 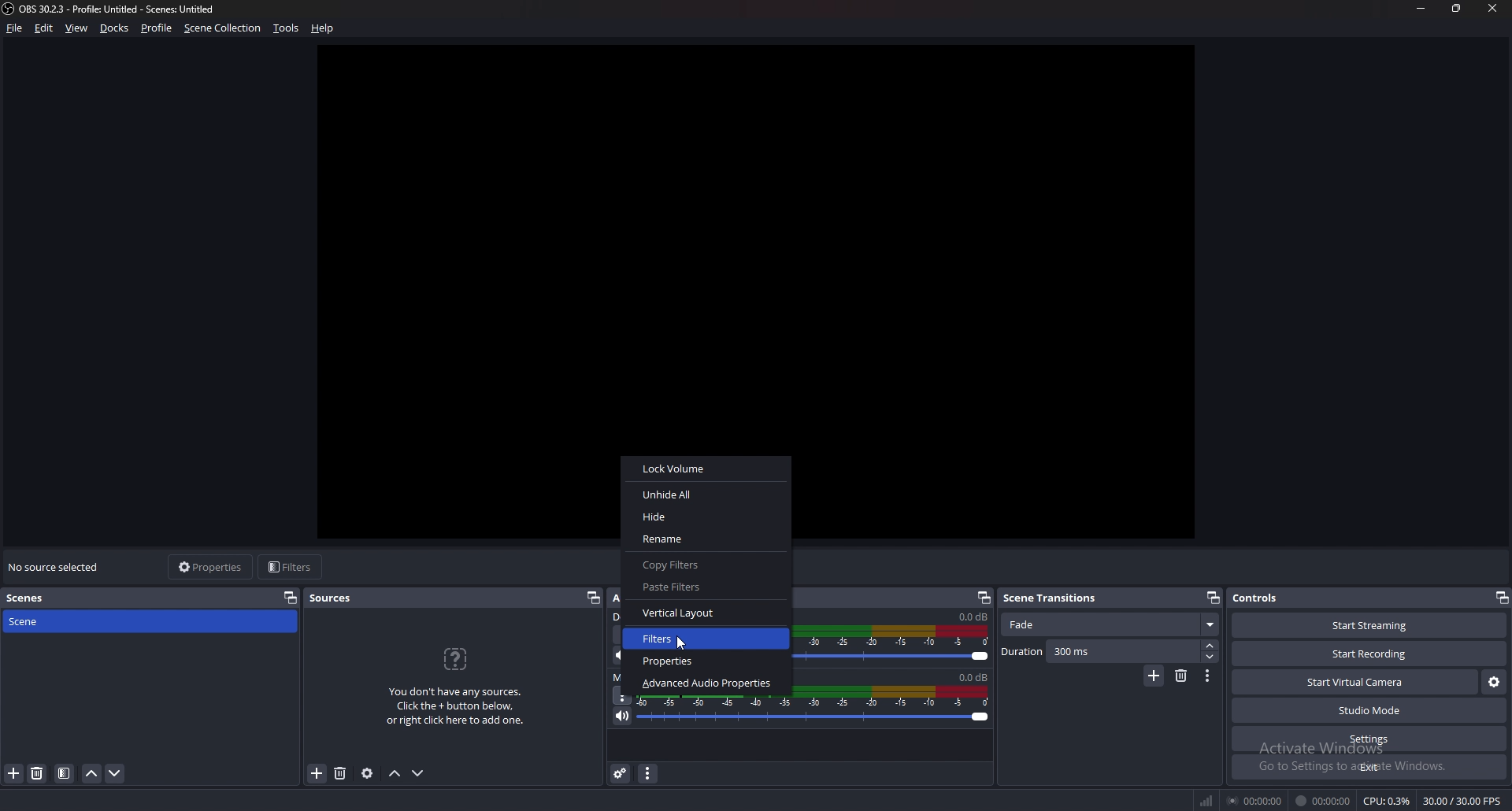 What do you see at coordinates (1210, 645) in the screenshot?
I see `increase duration` at bounding box center [1210, 645].